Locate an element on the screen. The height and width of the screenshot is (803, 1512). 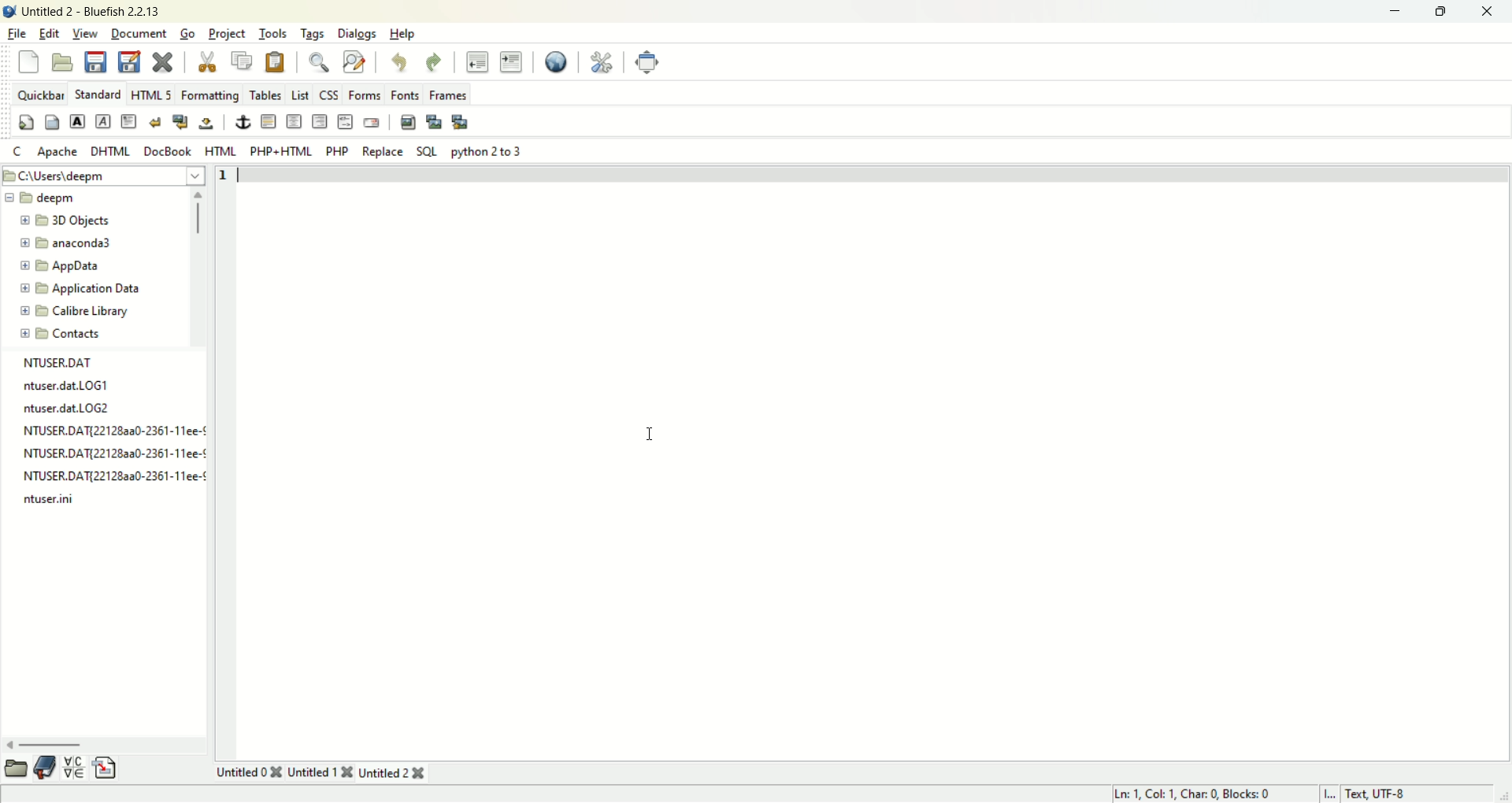
insert thumbnail is located at coordinates (432, 121).